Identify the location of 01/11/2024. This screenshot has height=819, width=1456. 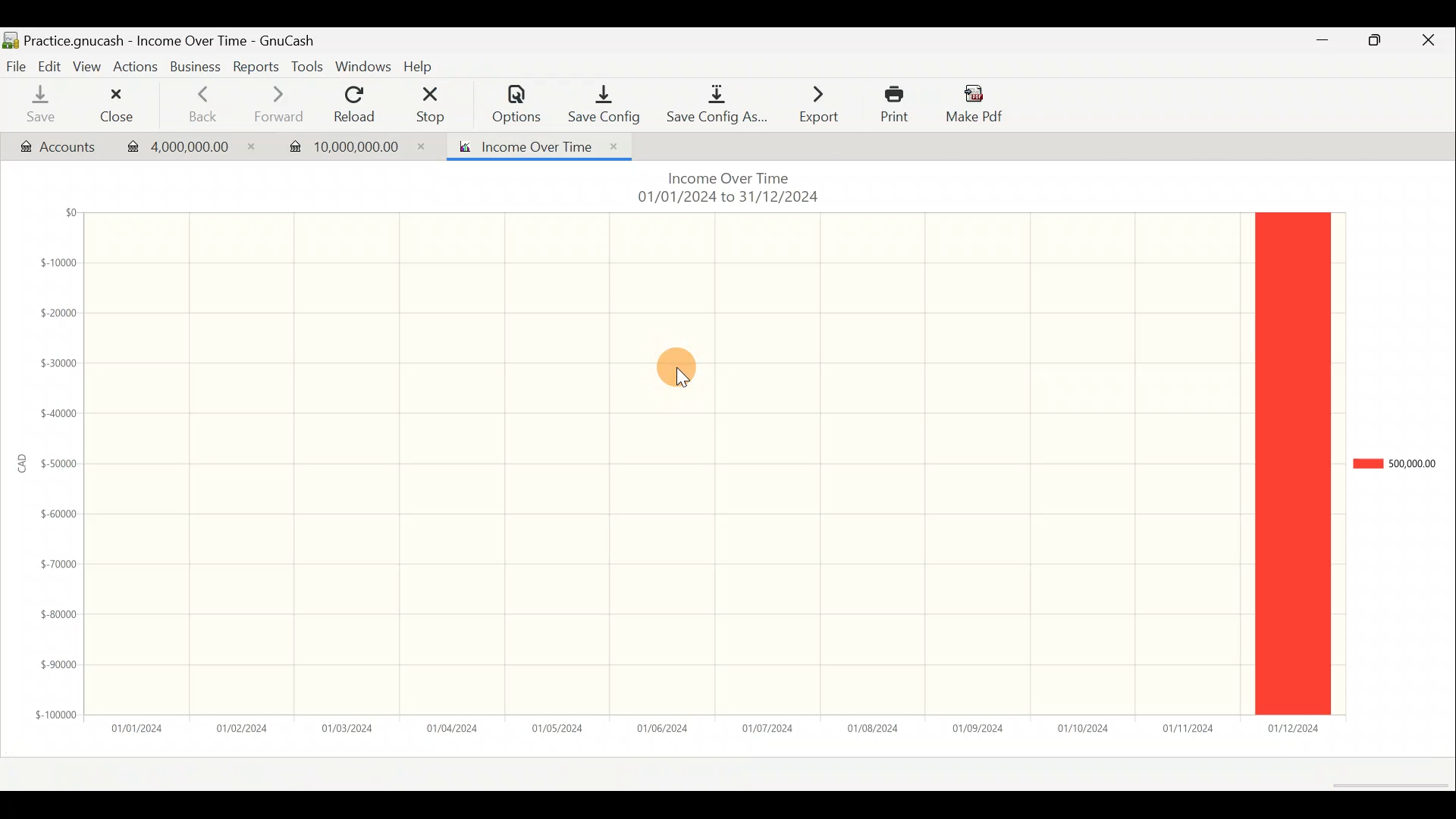
(1191, 727).